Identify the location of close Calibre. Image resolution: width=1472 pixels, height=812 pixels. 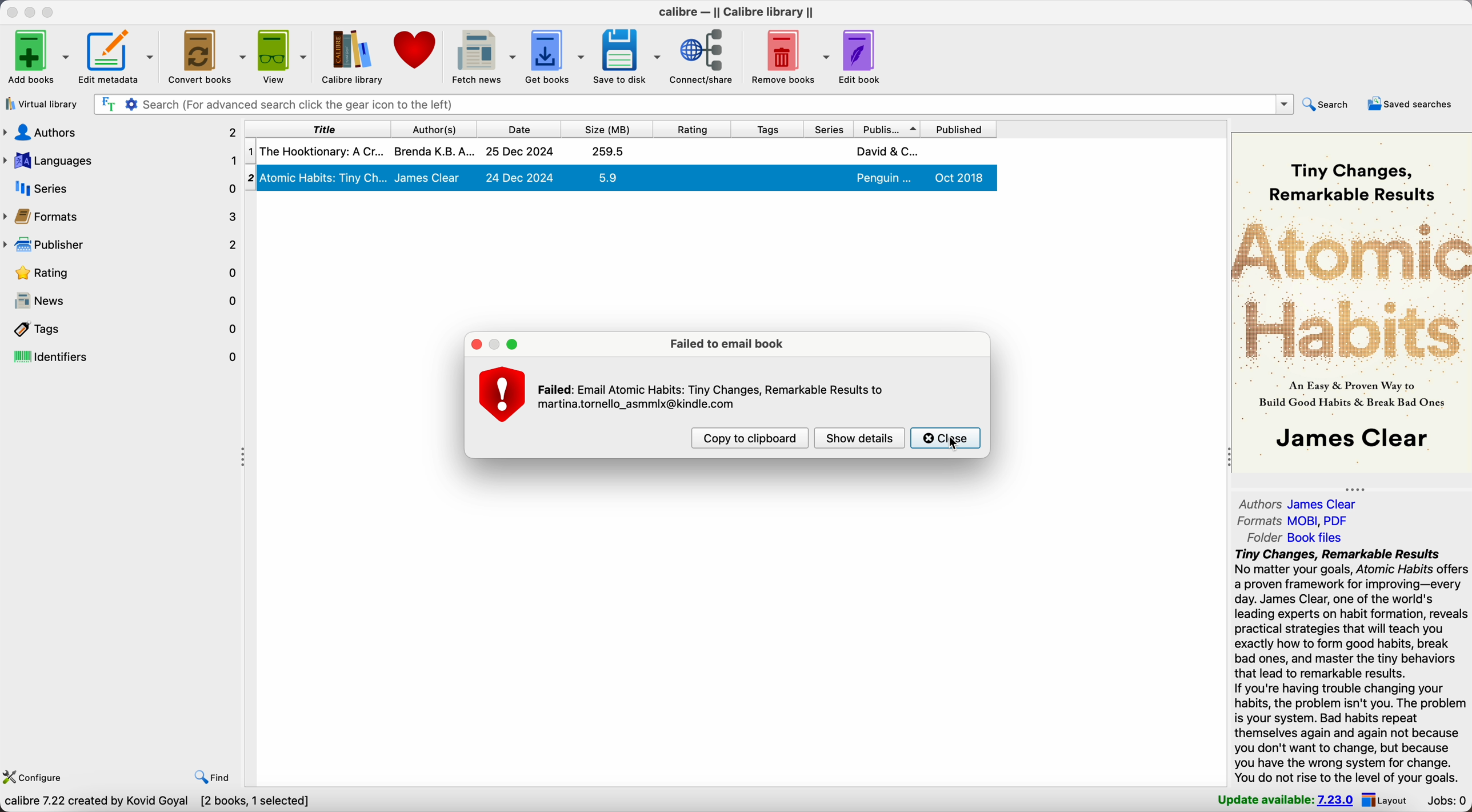
(10, 11).